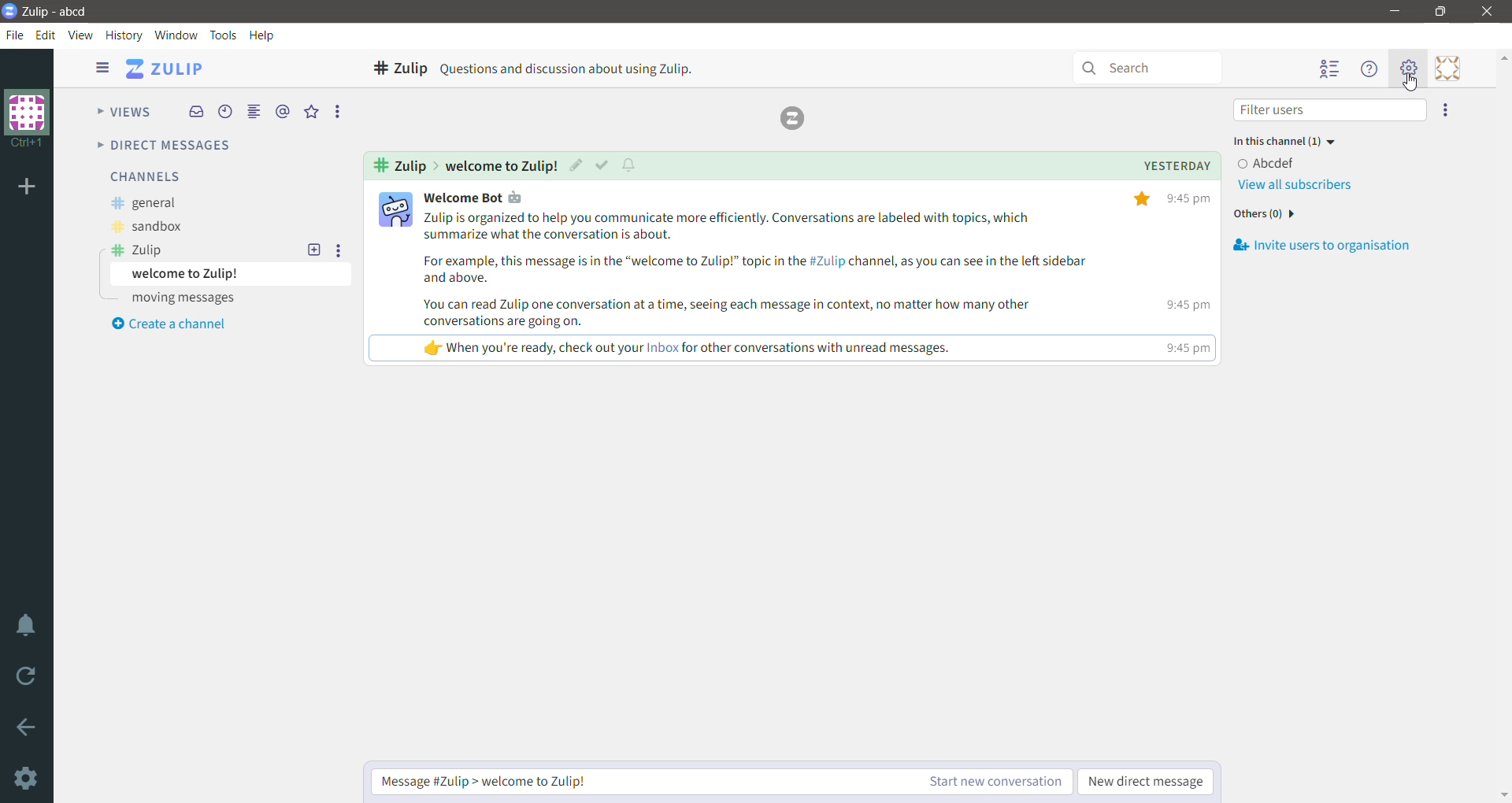 This screenshot has width=1512, height=803. I want to click on In this channel, so click(1291, 140).